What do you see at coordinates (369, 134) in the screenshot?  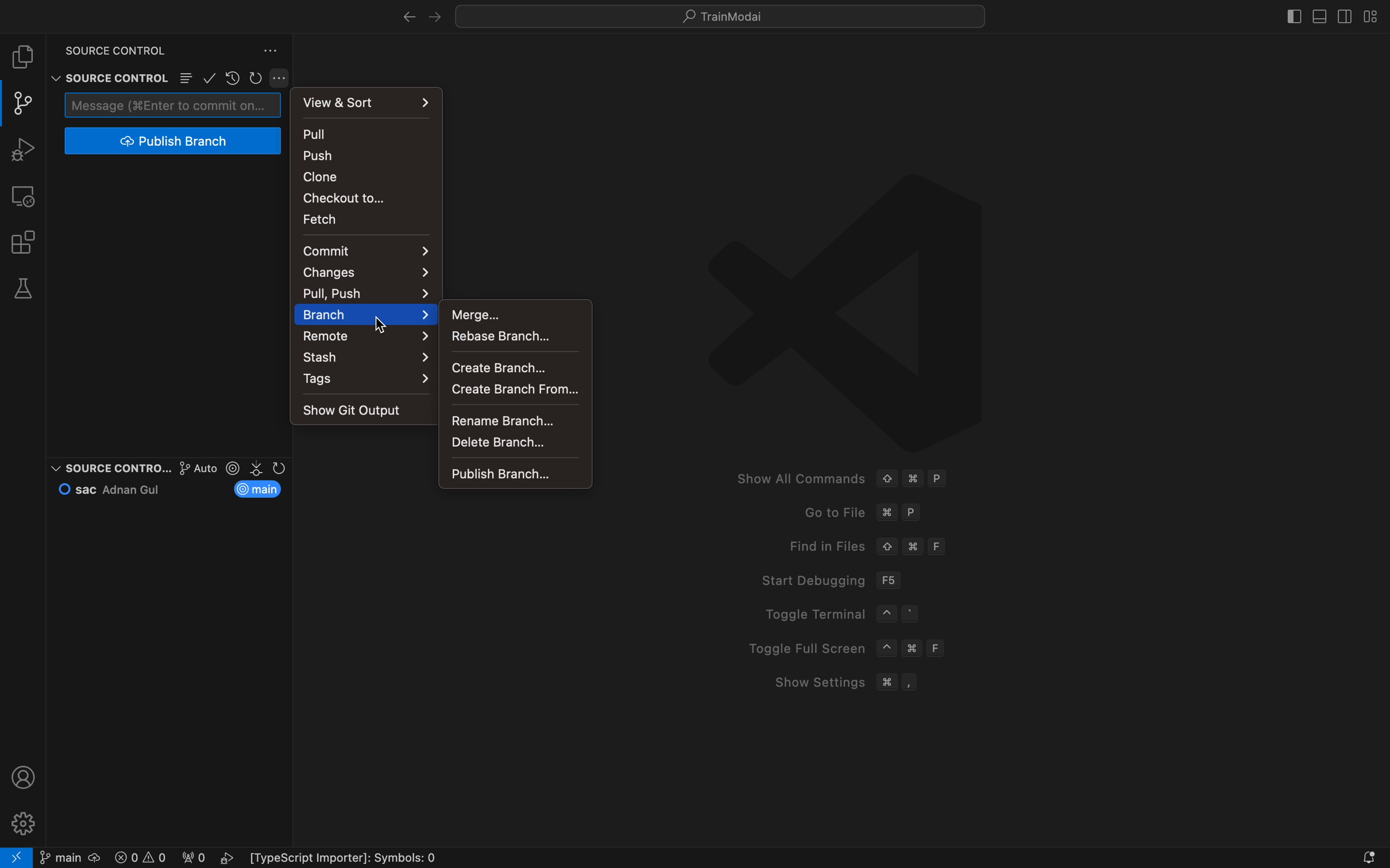 I see `pull from server` at bounding box center [369, 134].